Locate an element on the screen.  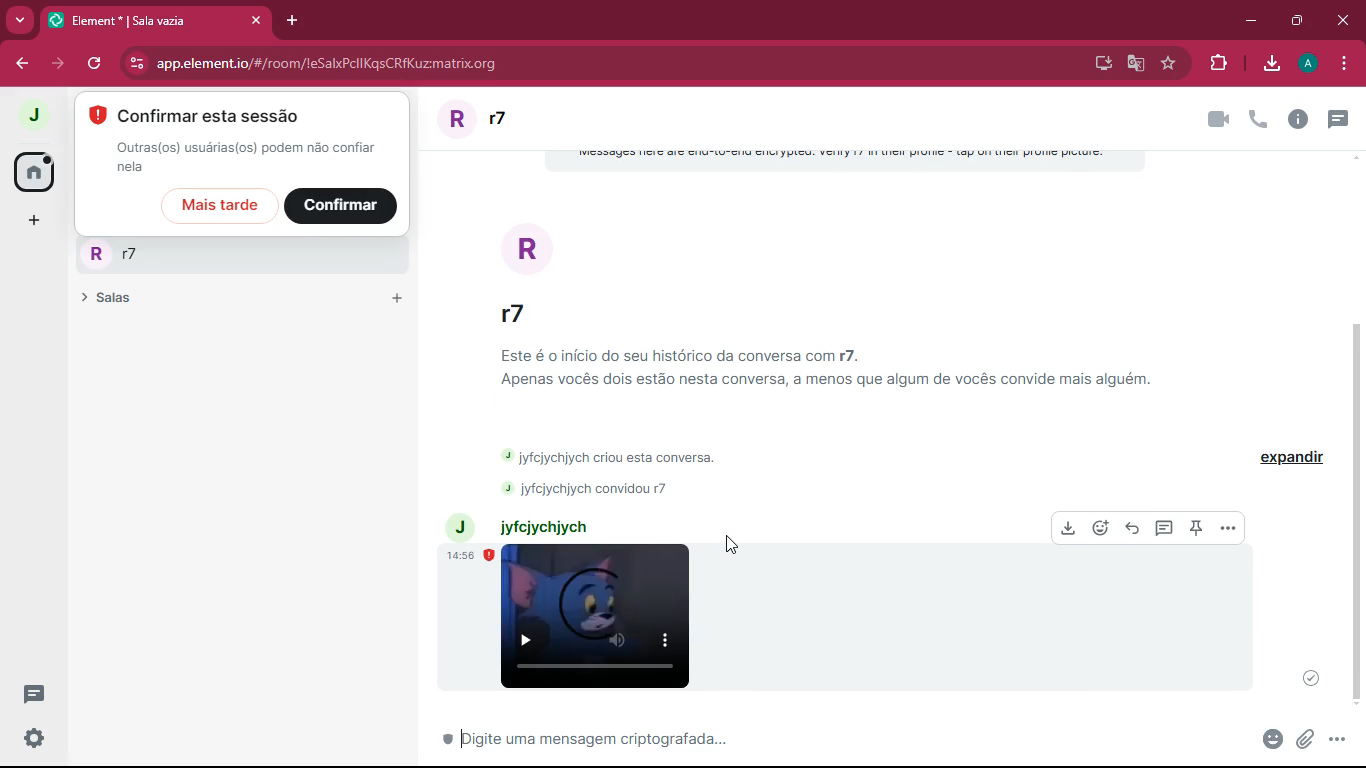
close is located at coordinates (1342, 20).